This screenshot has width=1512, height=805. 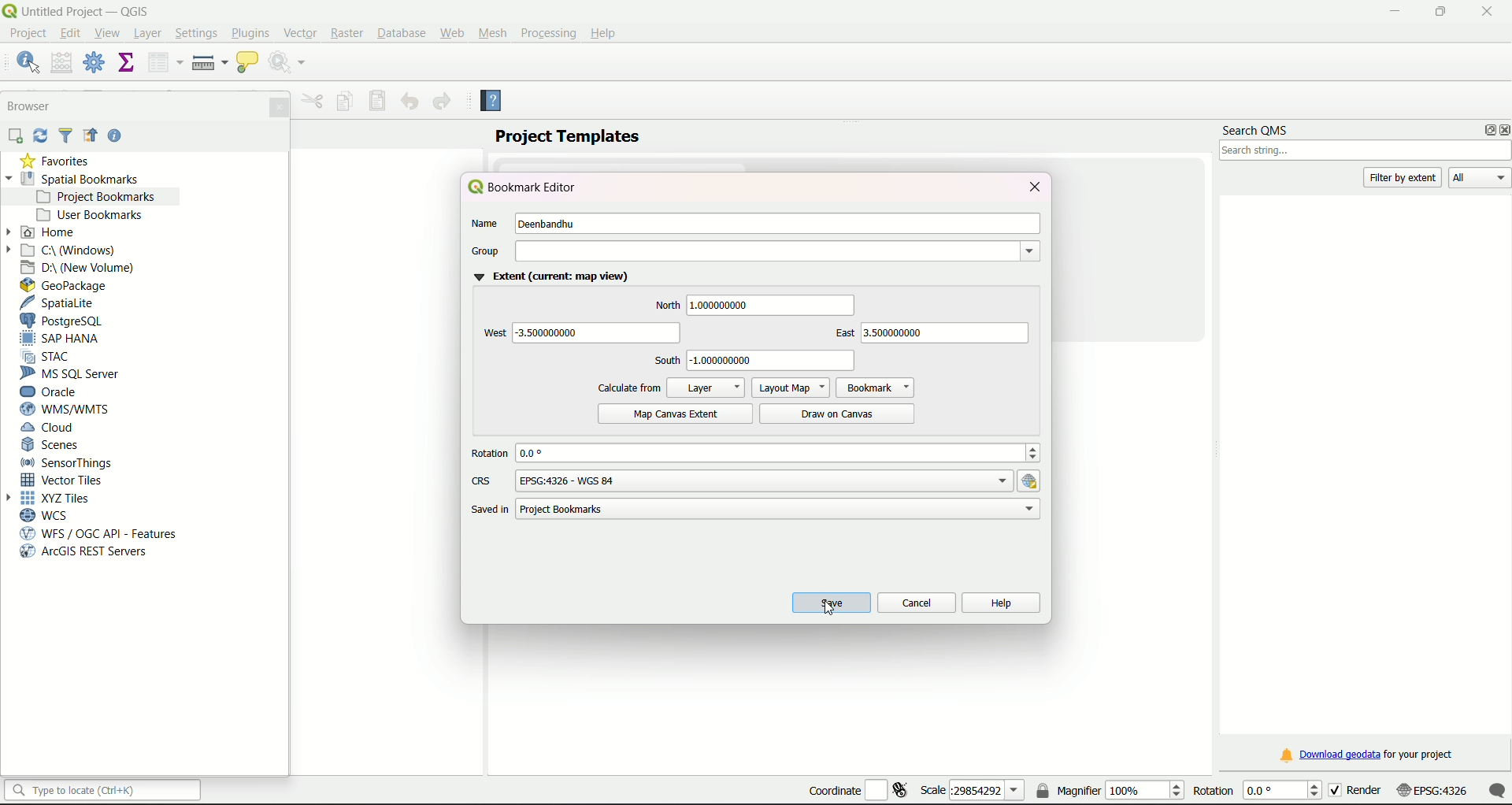 What do you see at coordinates (72, 321) in the screenshot?
I see `PostgreSQL` at bounding box center [72, 321].